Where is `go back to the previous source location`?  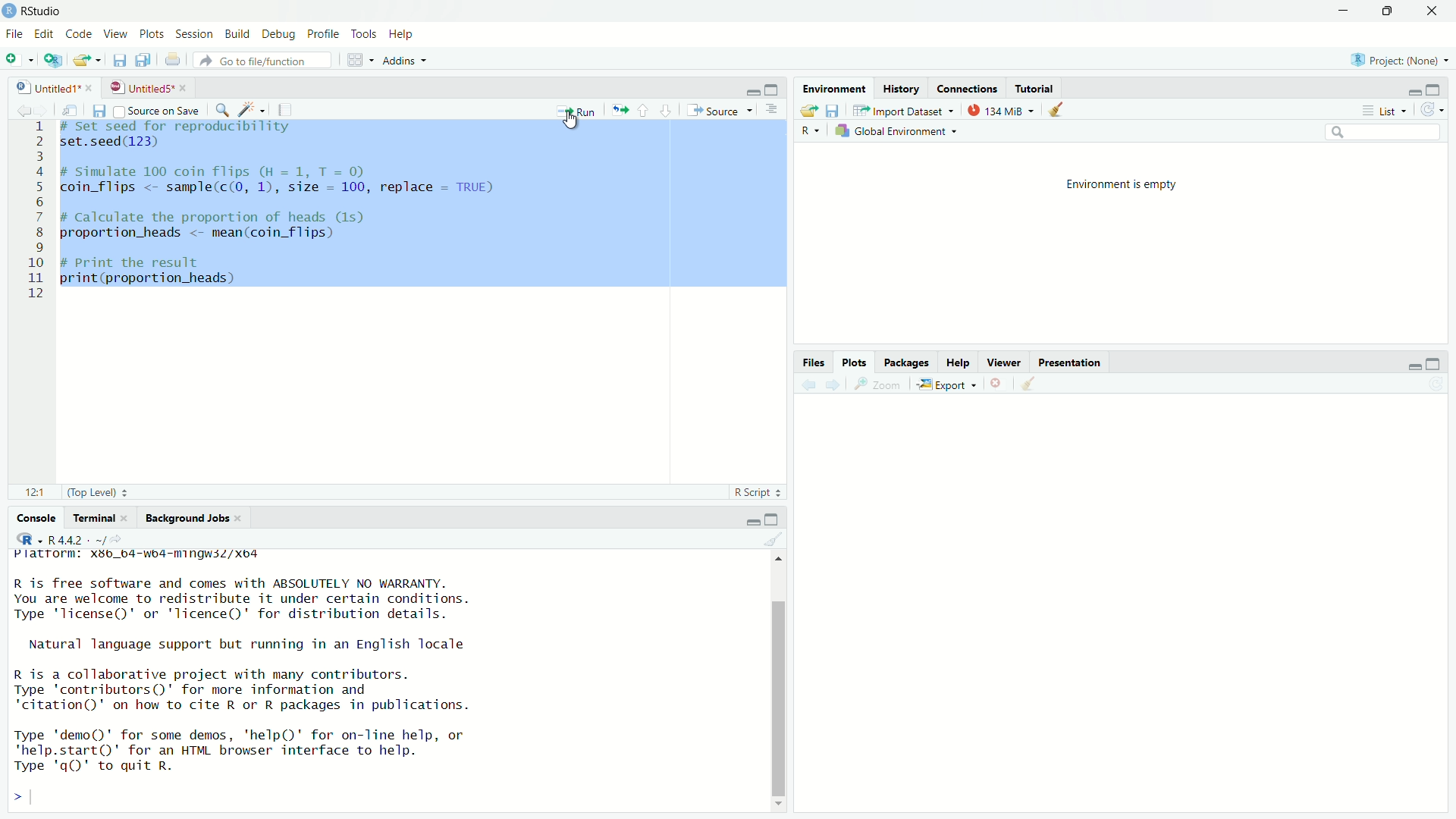
go back to the previous source location is located at coordinates (15, 108).